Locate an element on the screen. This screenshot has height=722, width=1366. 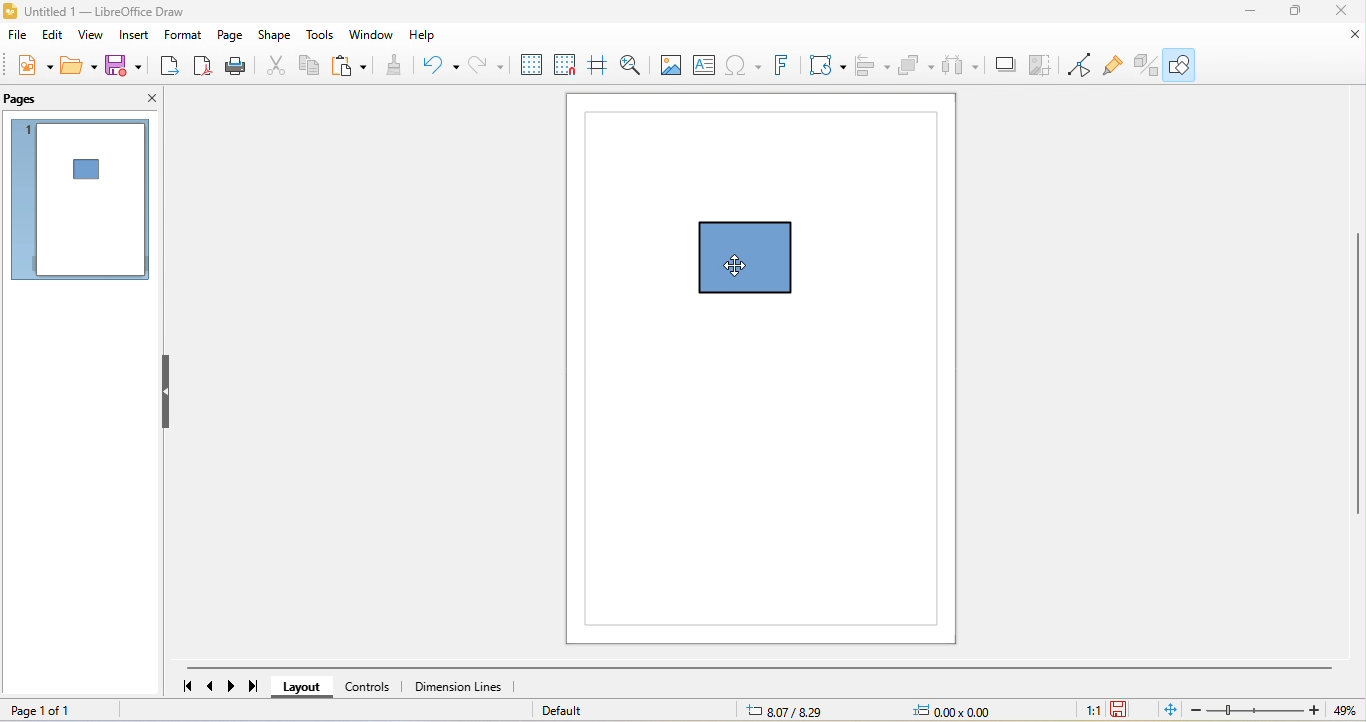
window is located at coordinates (372, 36).